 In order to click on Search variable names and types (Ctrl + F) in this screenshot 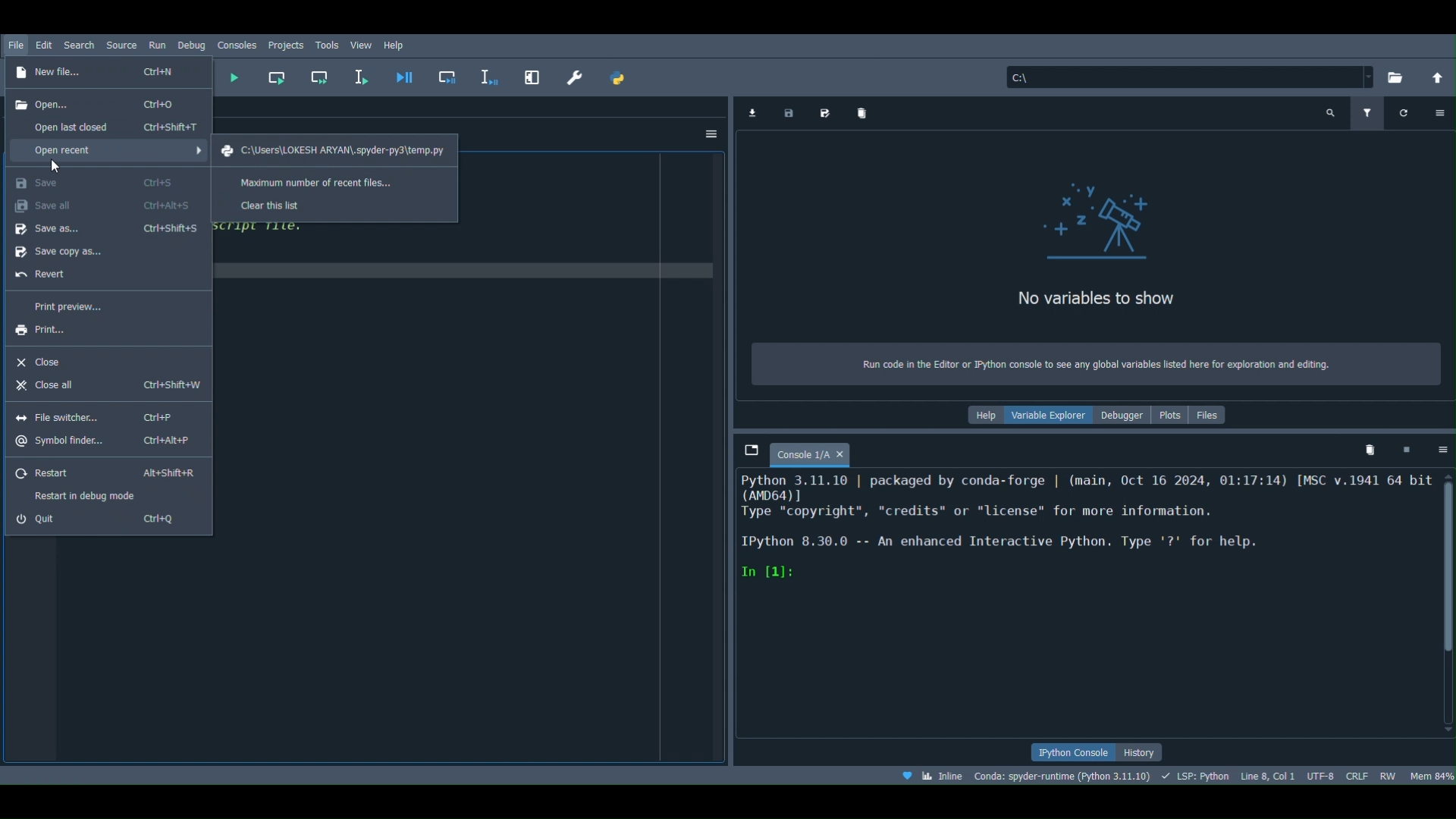, I will do `click(1333, 110)`.